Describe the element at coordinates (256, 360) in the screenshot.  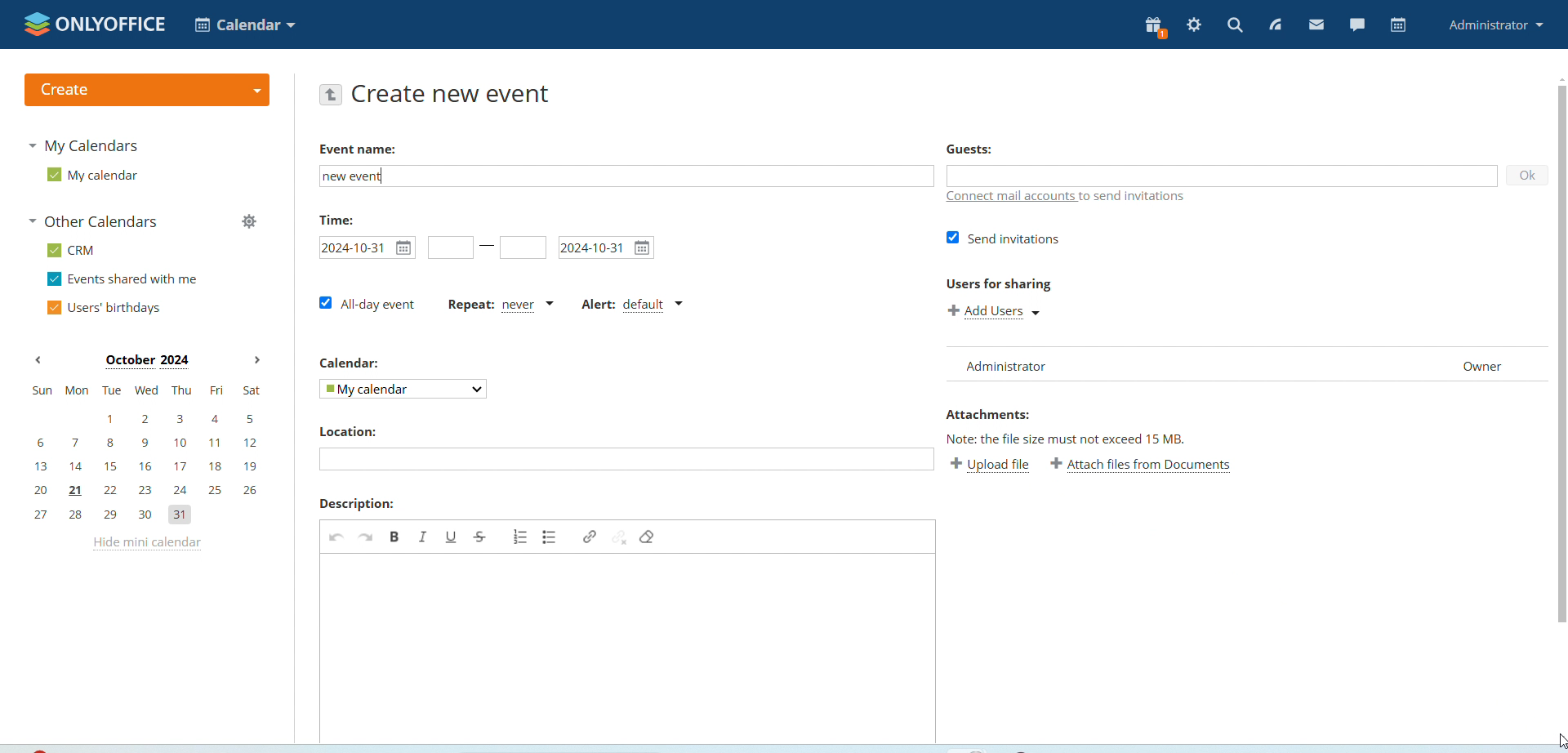
I see `next month` at that location.